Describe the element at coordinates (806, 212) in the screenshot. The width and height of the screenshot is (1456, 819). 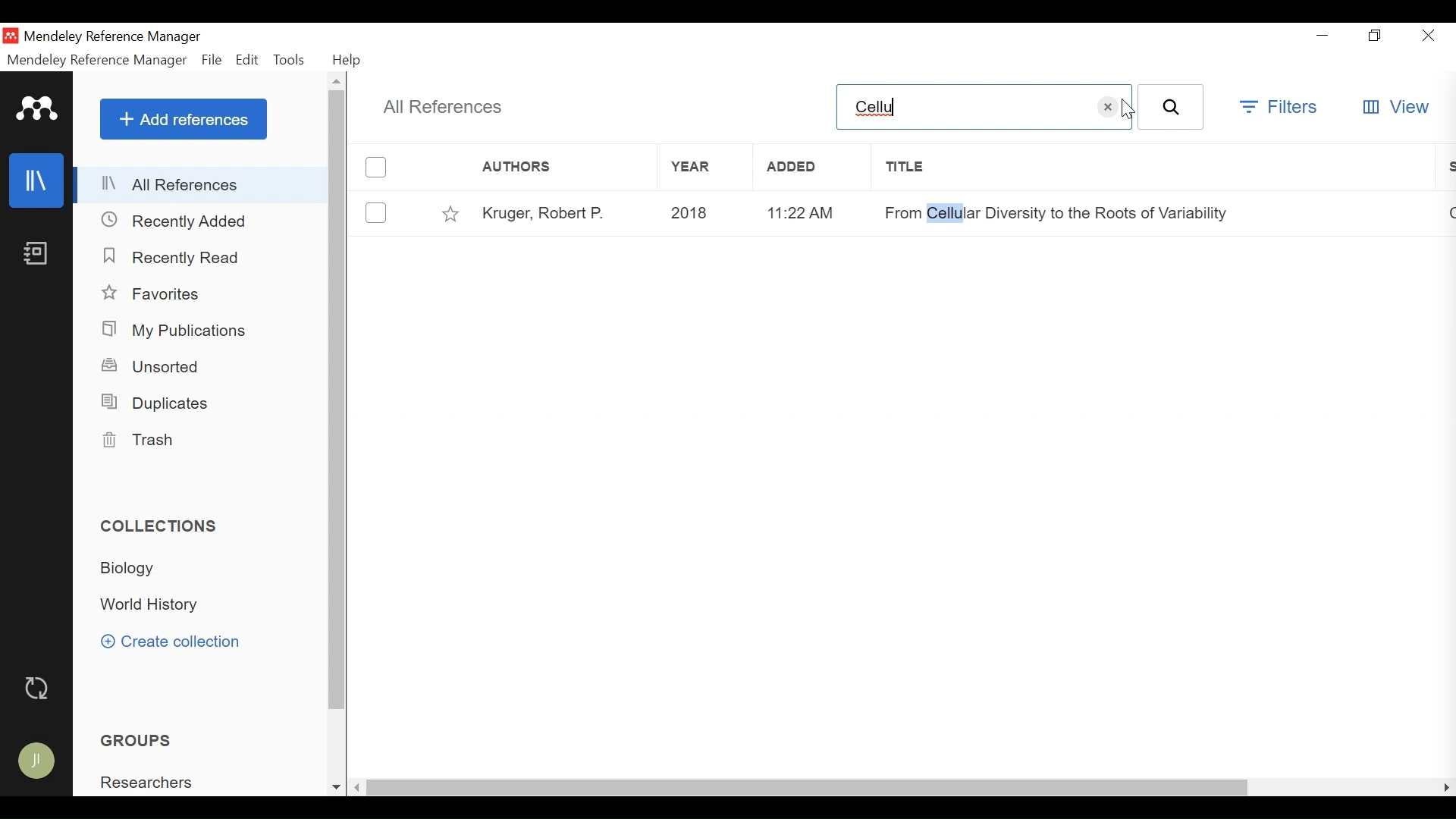
I see `11:22 AM` at that location.